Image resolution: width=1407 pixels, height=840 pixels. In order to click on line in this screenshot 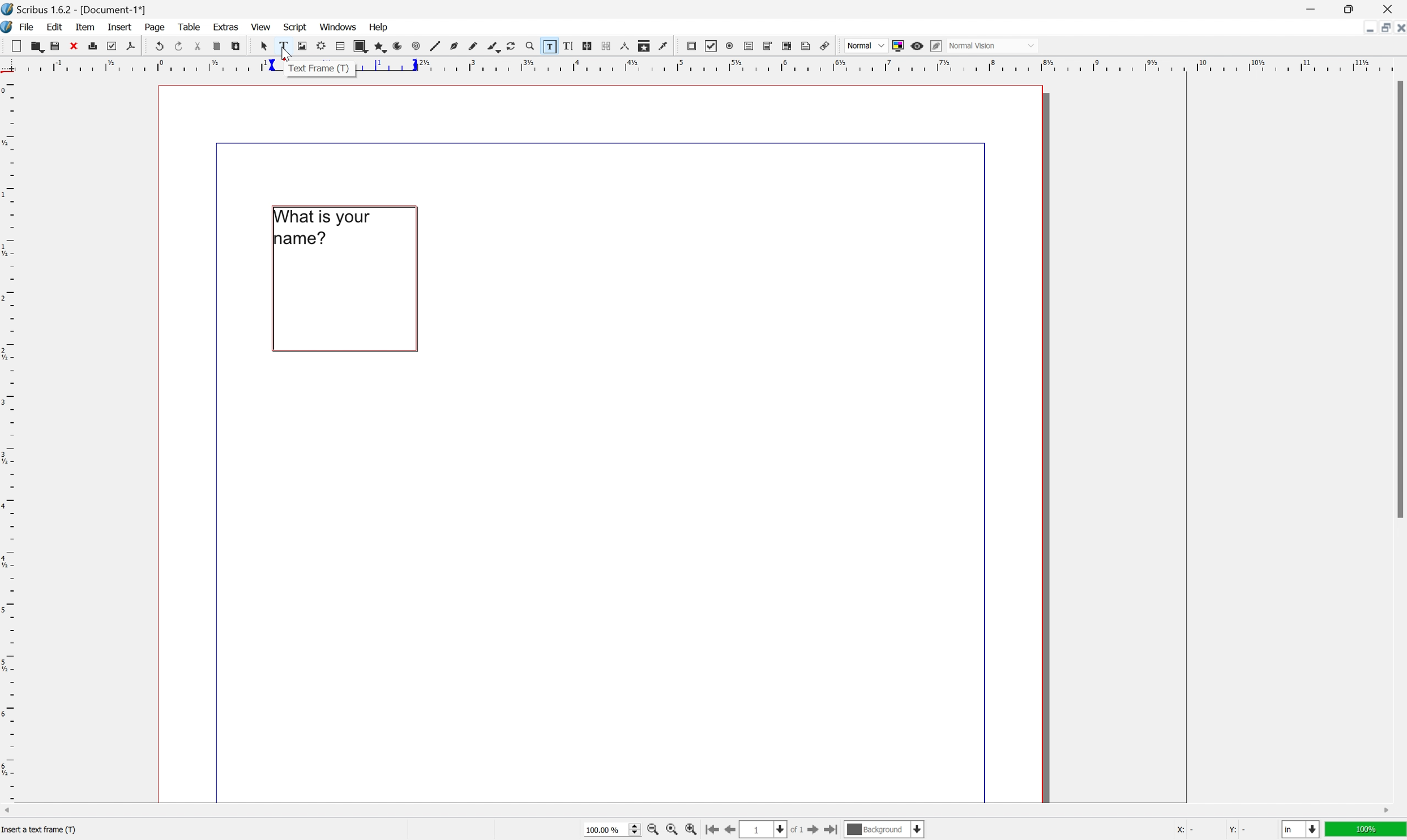, I will do `click(435, 47)`.